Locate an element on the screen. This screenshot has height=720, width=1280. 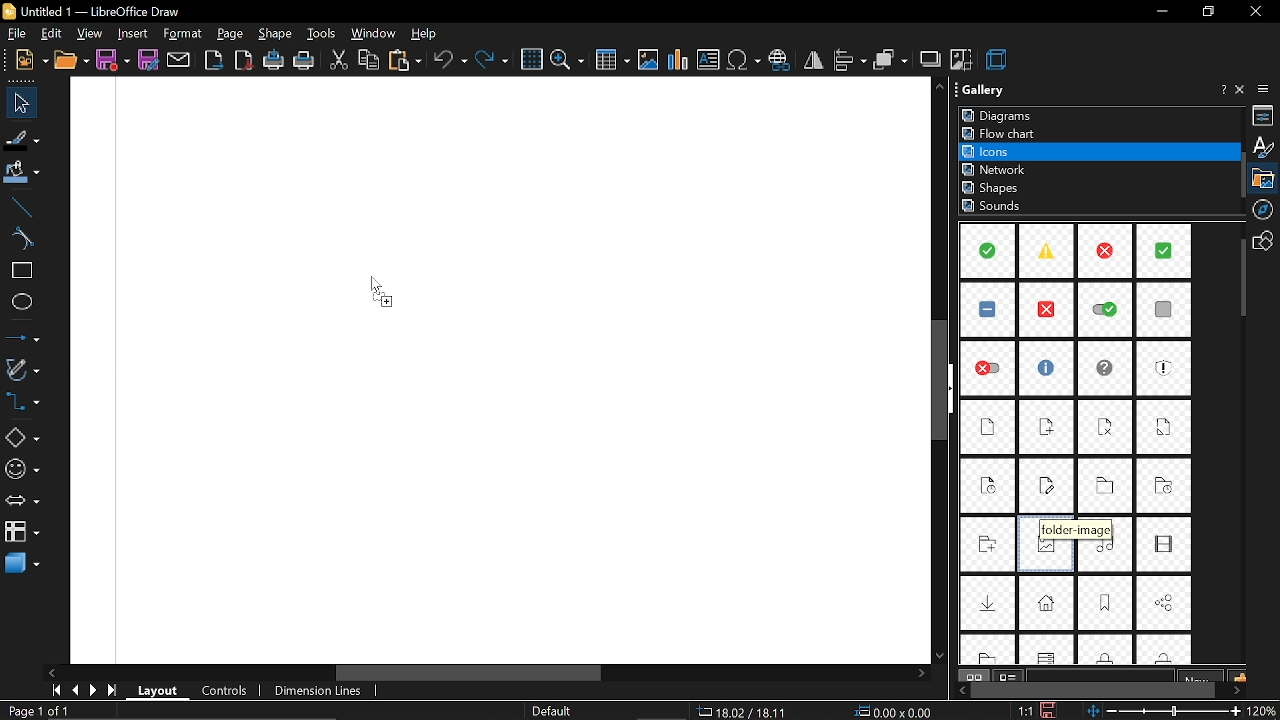
attach is located at coordinates (179, 59).